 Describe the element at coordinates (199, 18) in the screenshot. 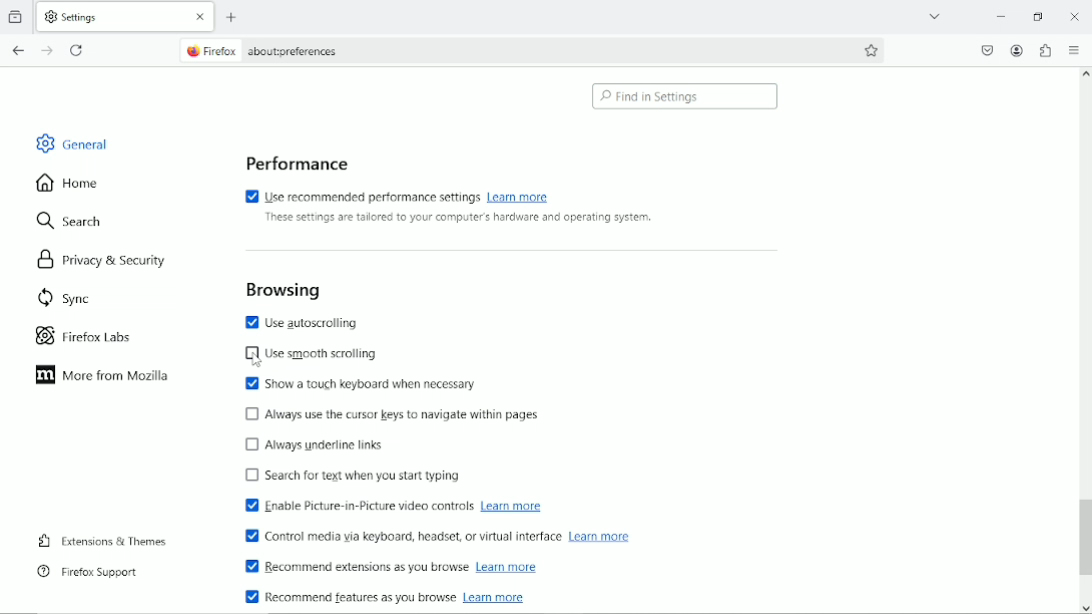

I see `close` at that location.